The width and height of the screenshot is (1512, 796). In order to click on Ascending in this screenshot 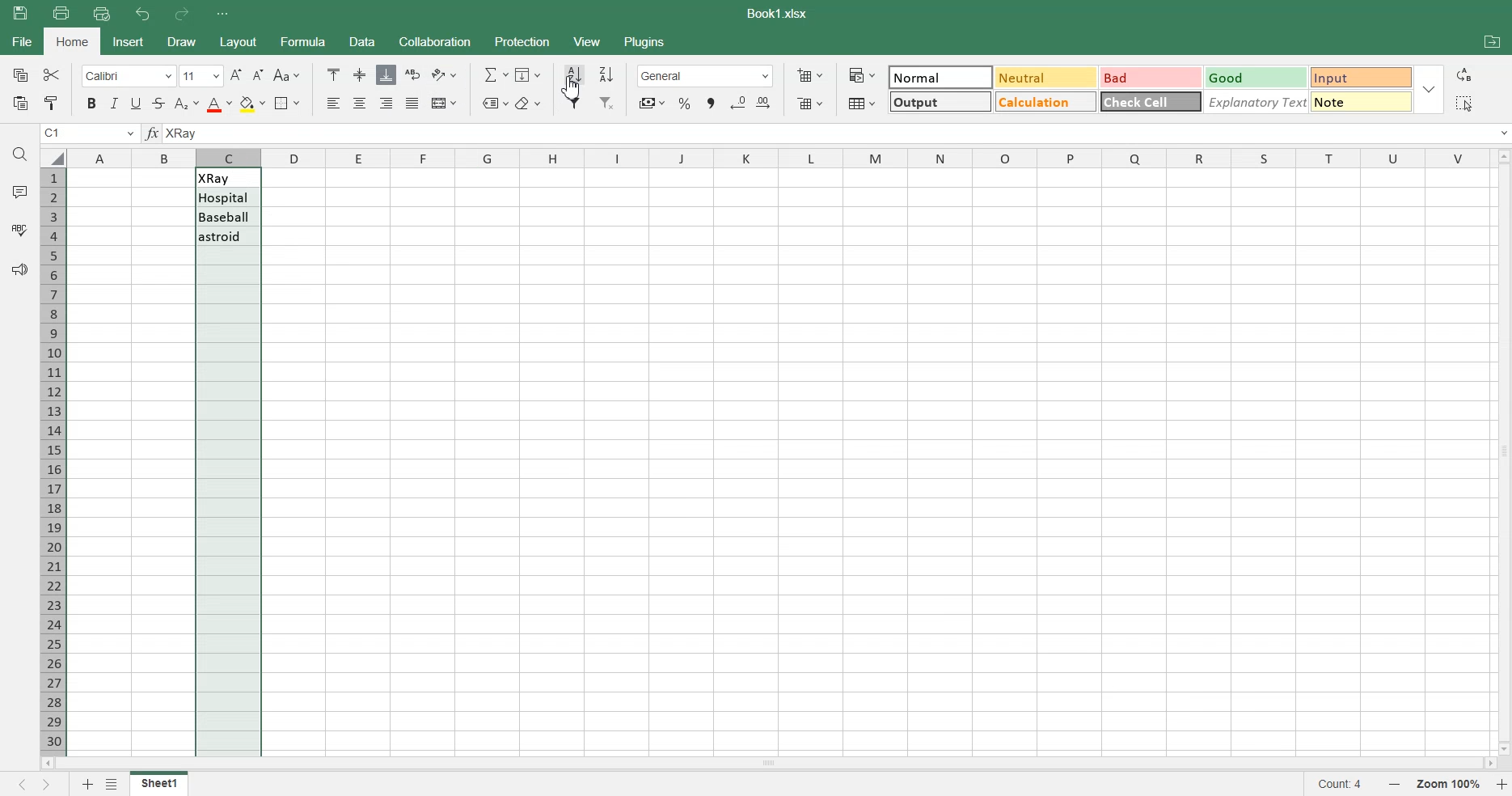, I will do `click(574, 74)`.